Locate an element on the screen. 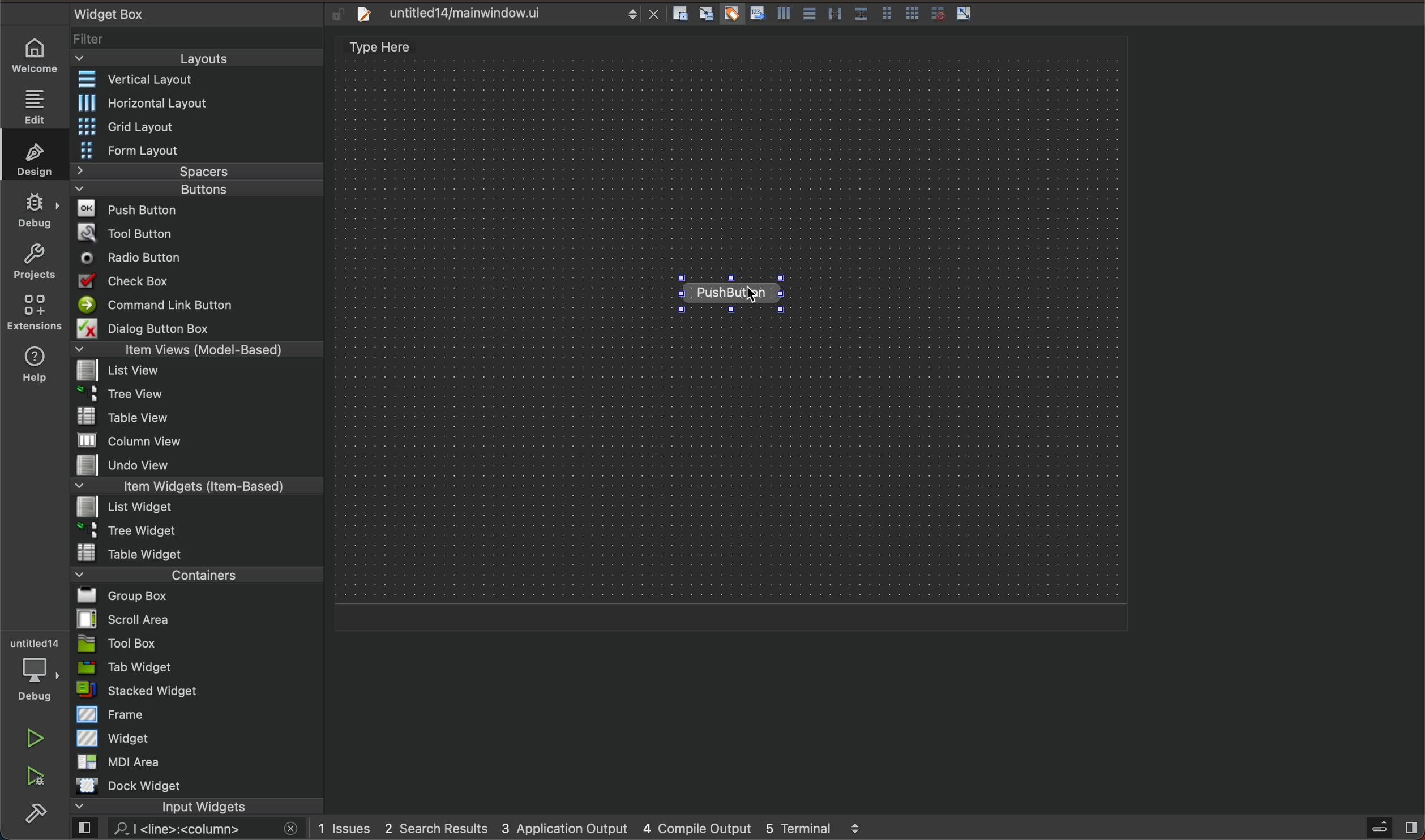 This screenshot has height=840, width=1425. run is located at coordinates (33, 738).